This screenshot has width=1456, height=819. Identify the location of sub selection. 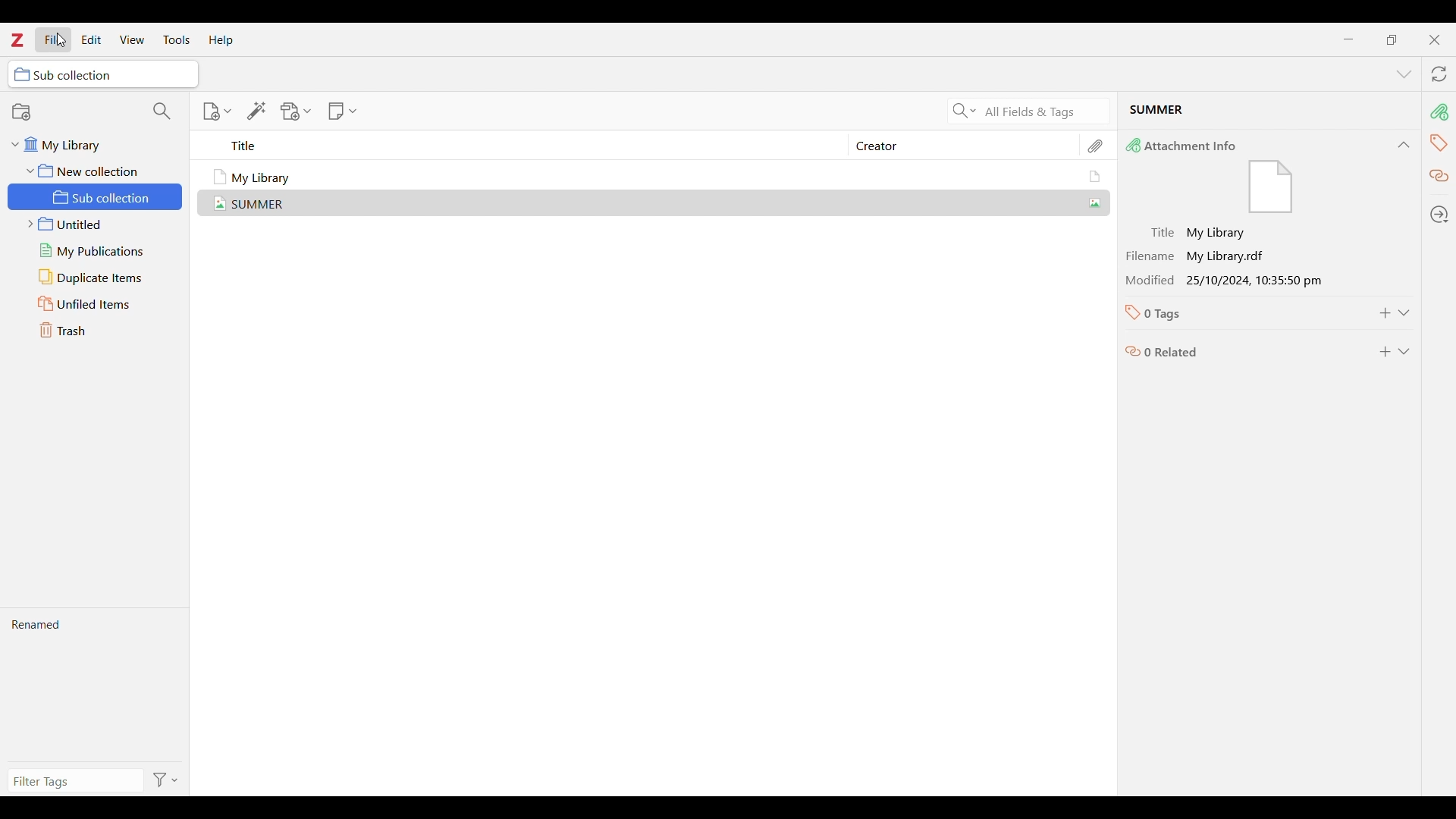
(104, 74).